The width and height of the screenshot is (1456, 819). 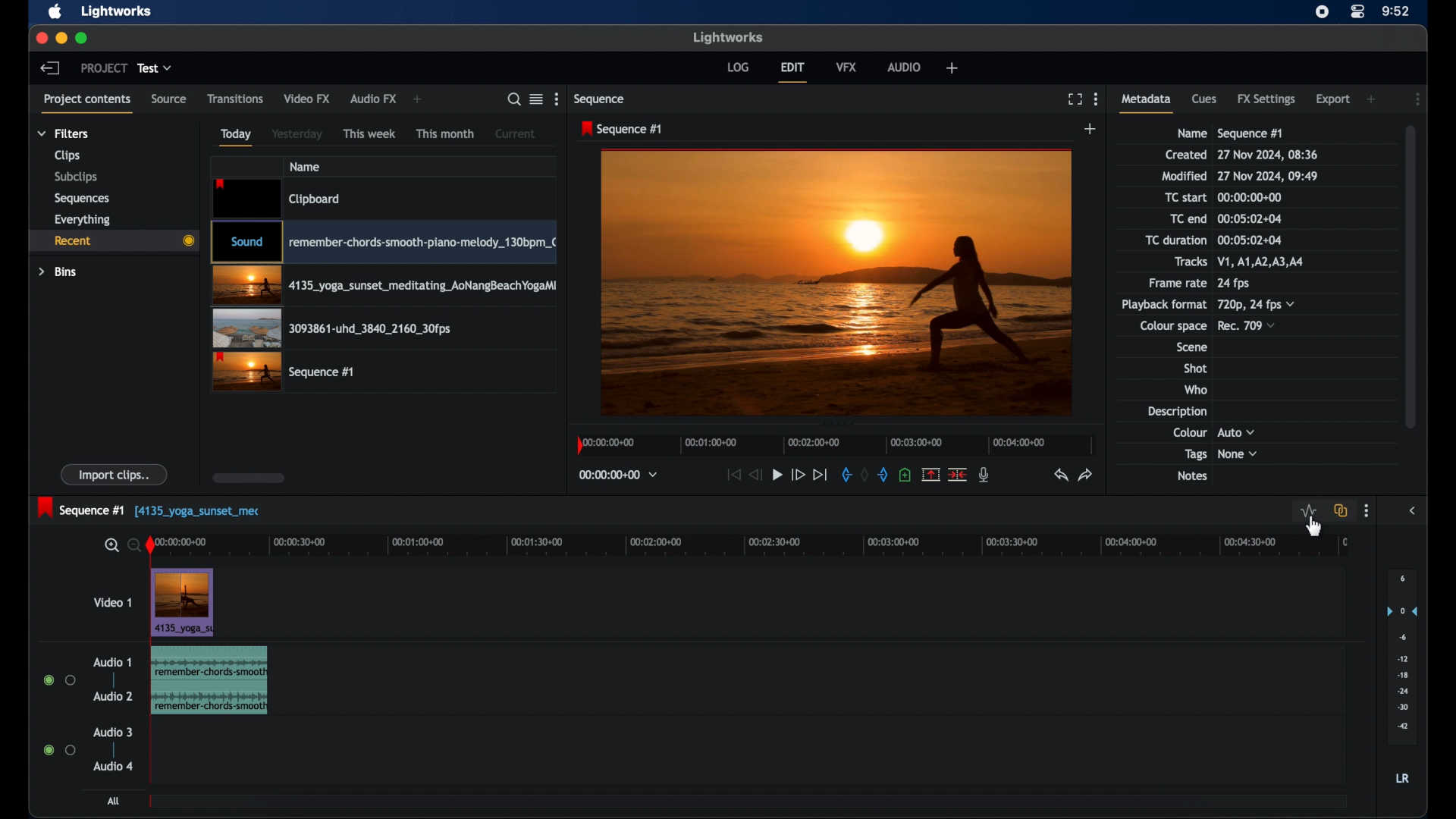 What do you see at coordinates (1412, 511) in the screenshot?
I see `sidebar` at bounding box center [1412, 511].